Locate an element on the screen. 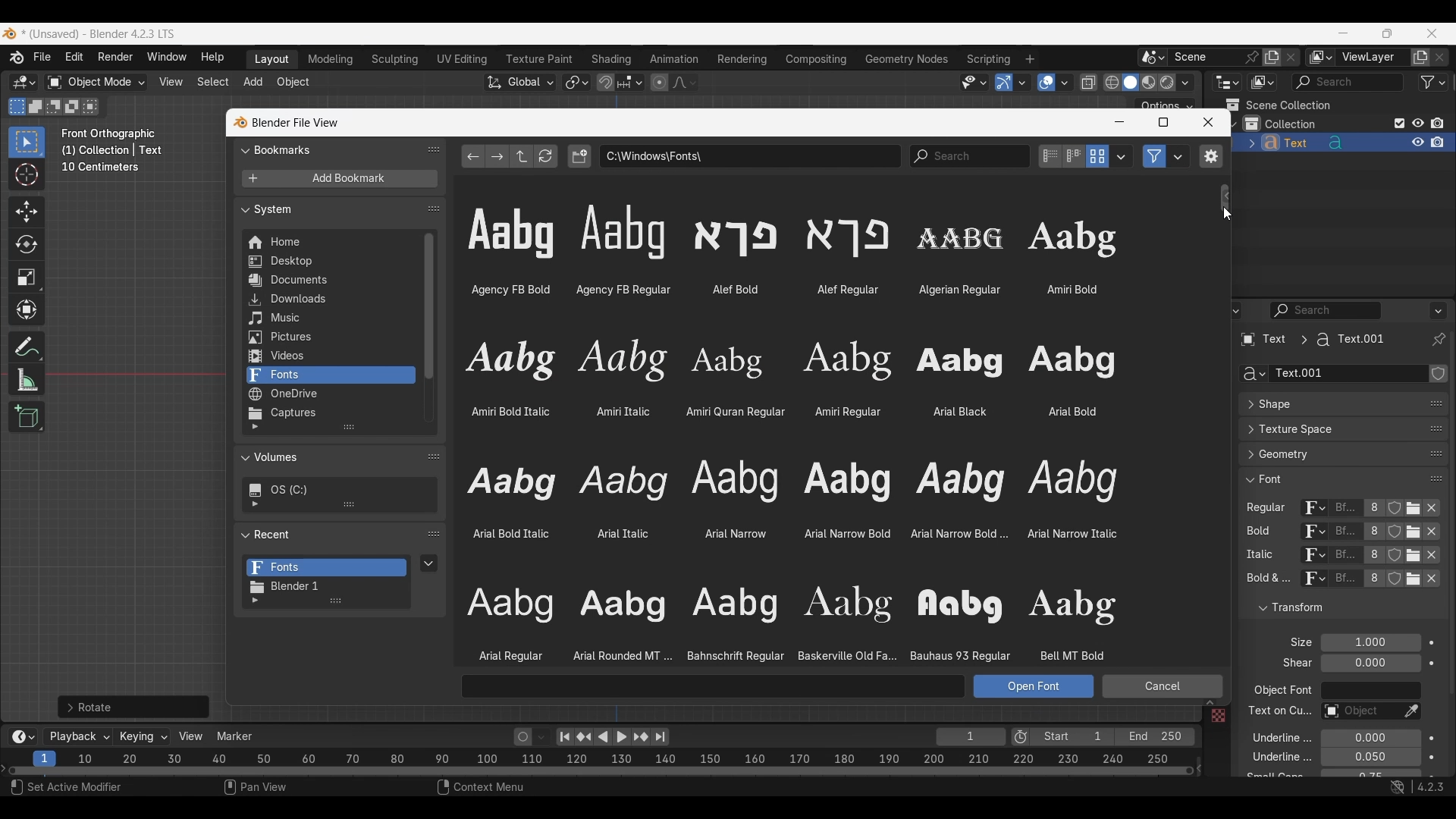 The height and width of the screenshot is (819, 1456). Show filtering options is located at coordinates (255, 601).